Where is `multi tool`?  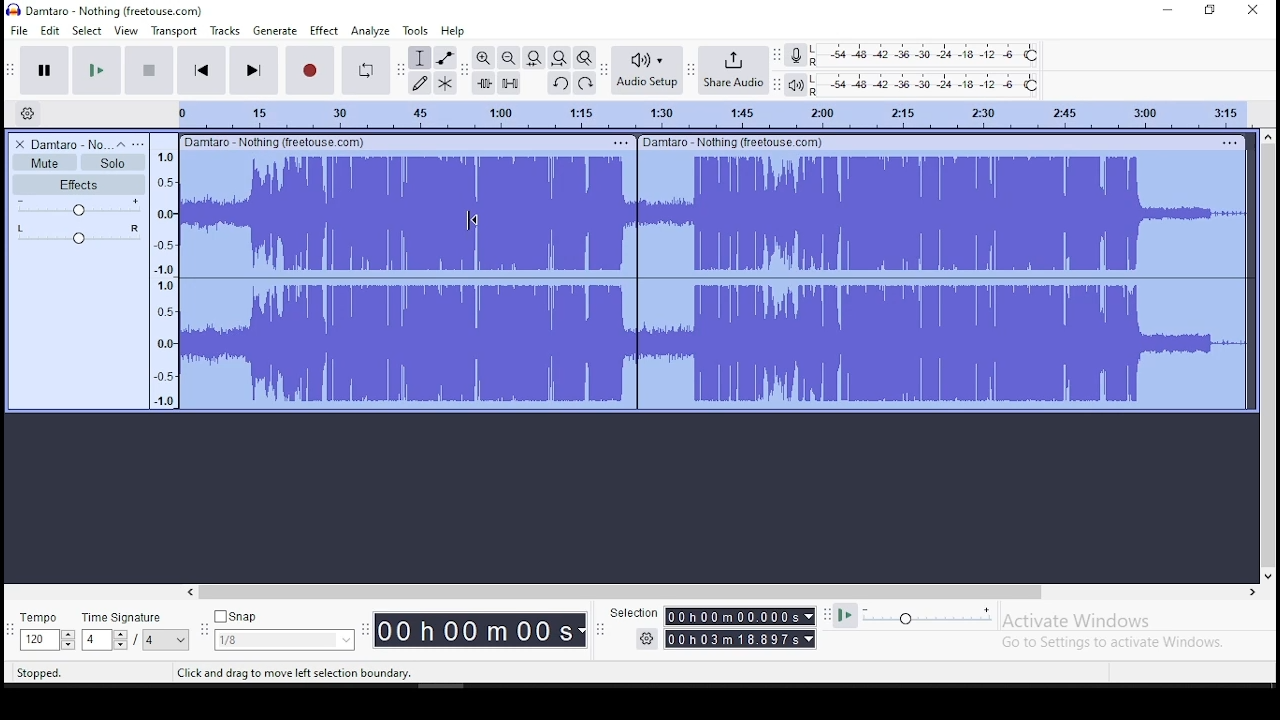
multi tool is located at coordinates (445, 83).